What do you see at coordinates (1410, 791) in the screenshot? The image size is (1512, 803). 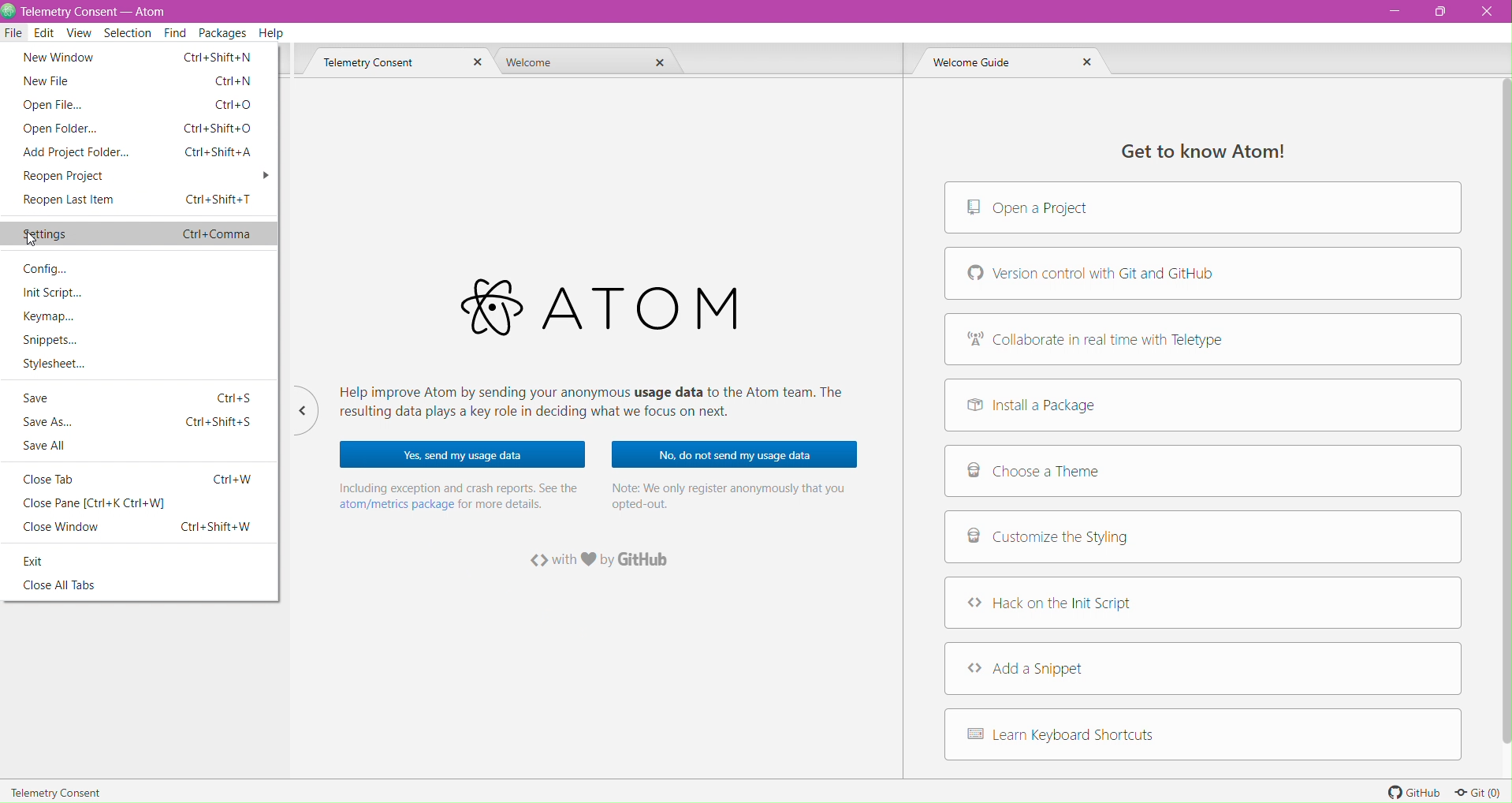 I see `GitHub` at bounding box center [1410, 791].